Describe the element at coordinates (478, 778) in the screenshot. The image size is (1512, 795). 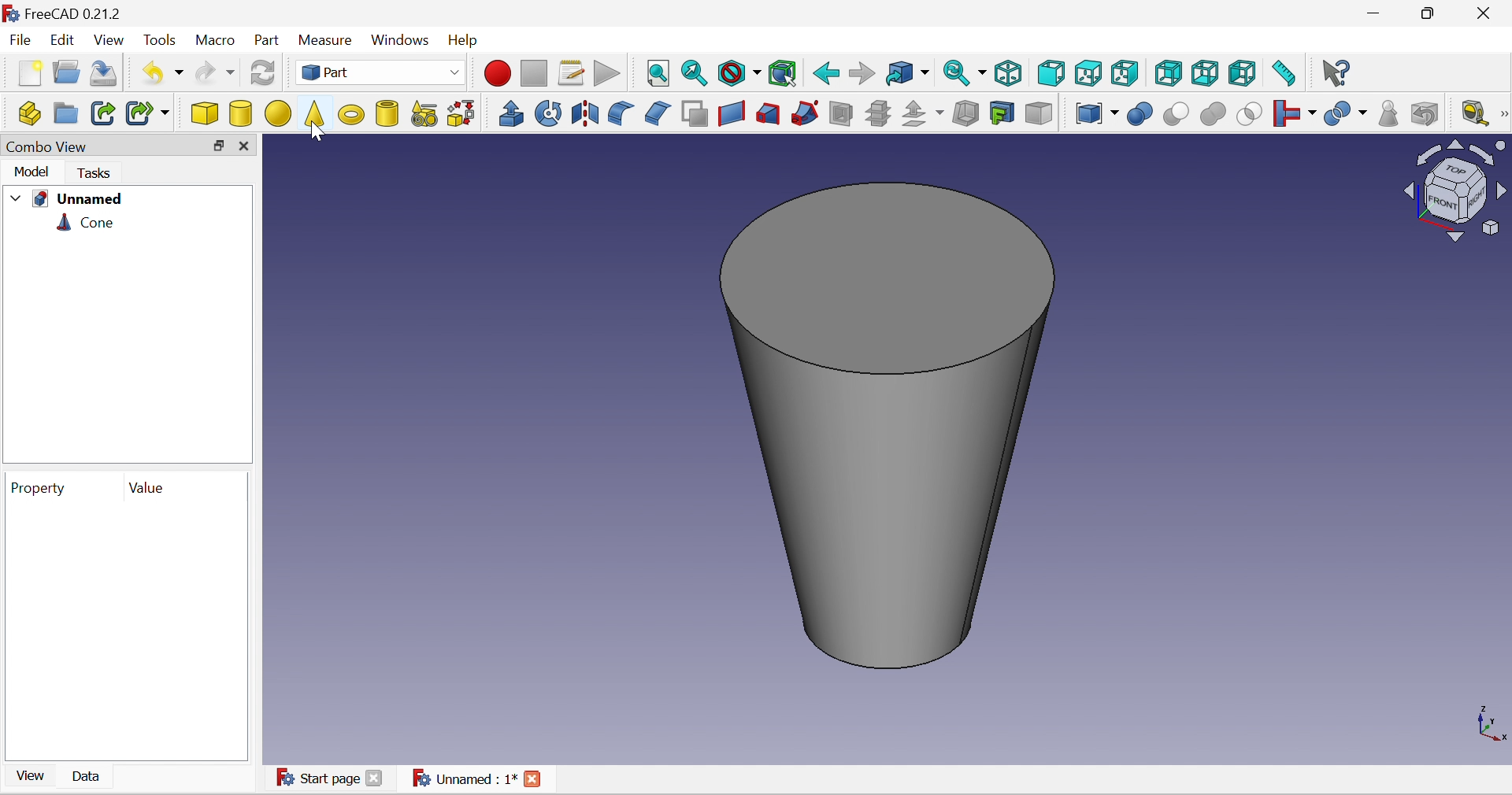
I see `Unnamed : 1*` at that location.